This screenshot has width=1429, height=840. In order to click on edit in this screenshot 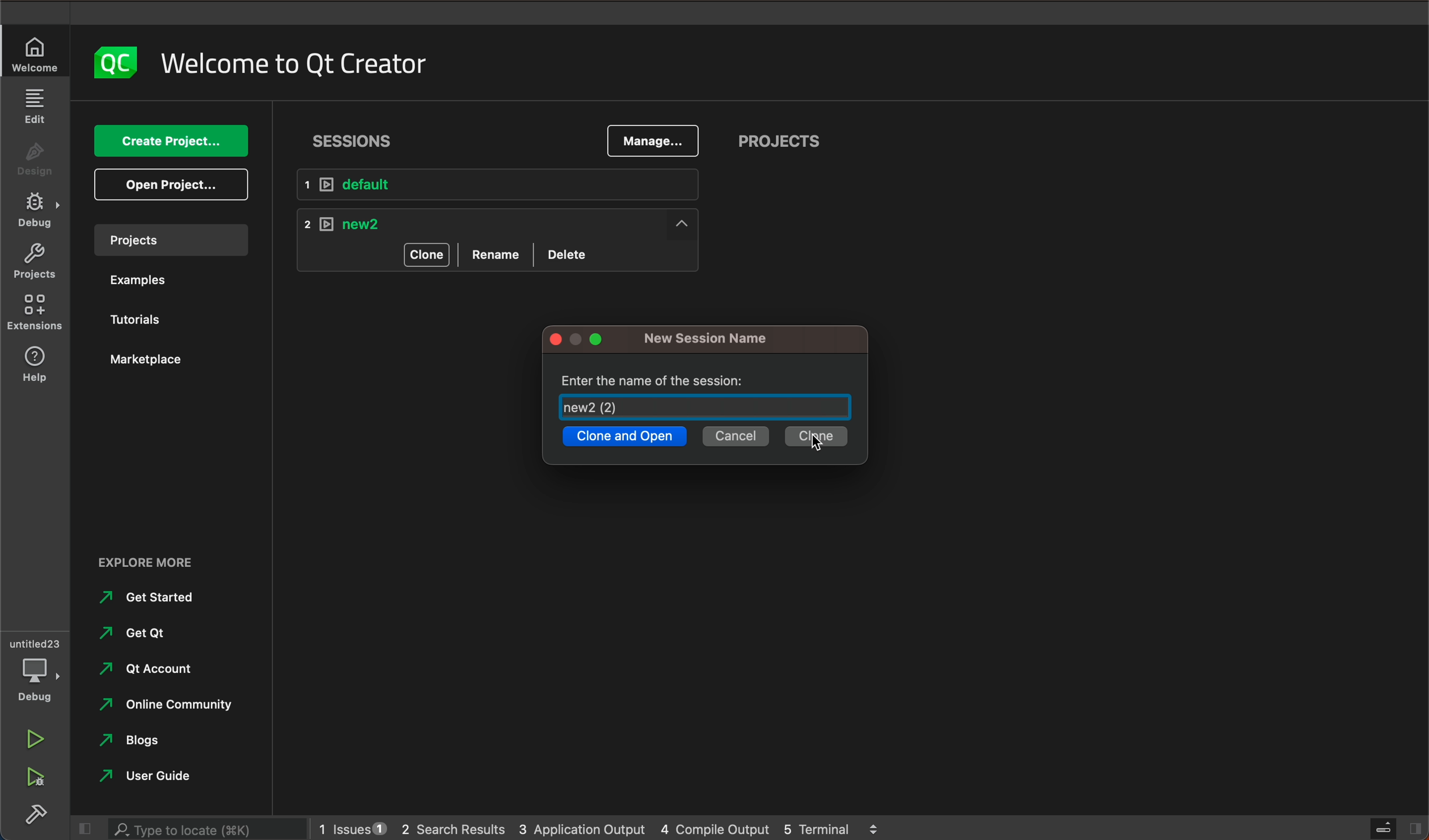, I will do `click(38, 109)`.